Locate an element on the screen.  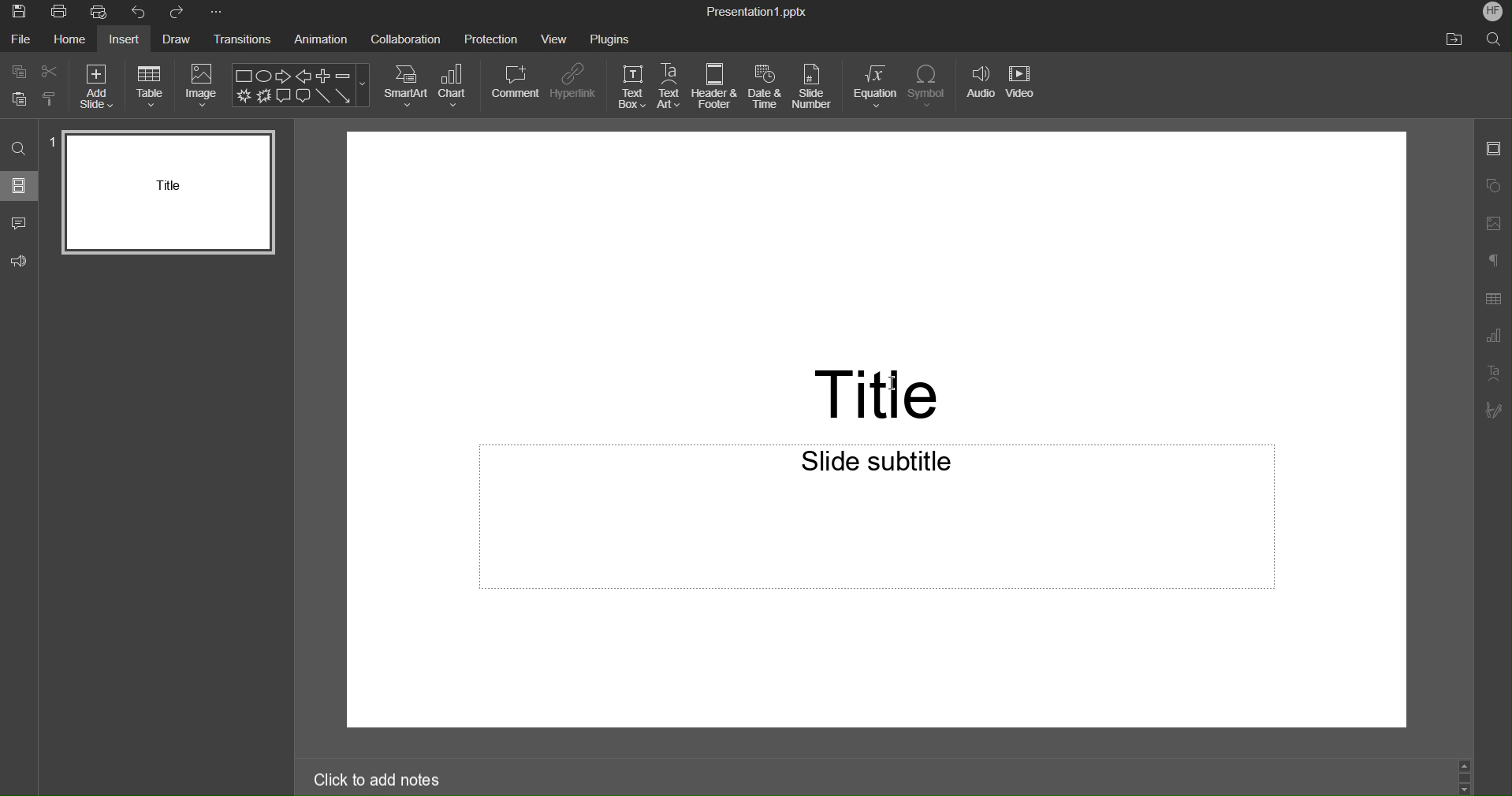
Audio is located at coordinates (976, 87).